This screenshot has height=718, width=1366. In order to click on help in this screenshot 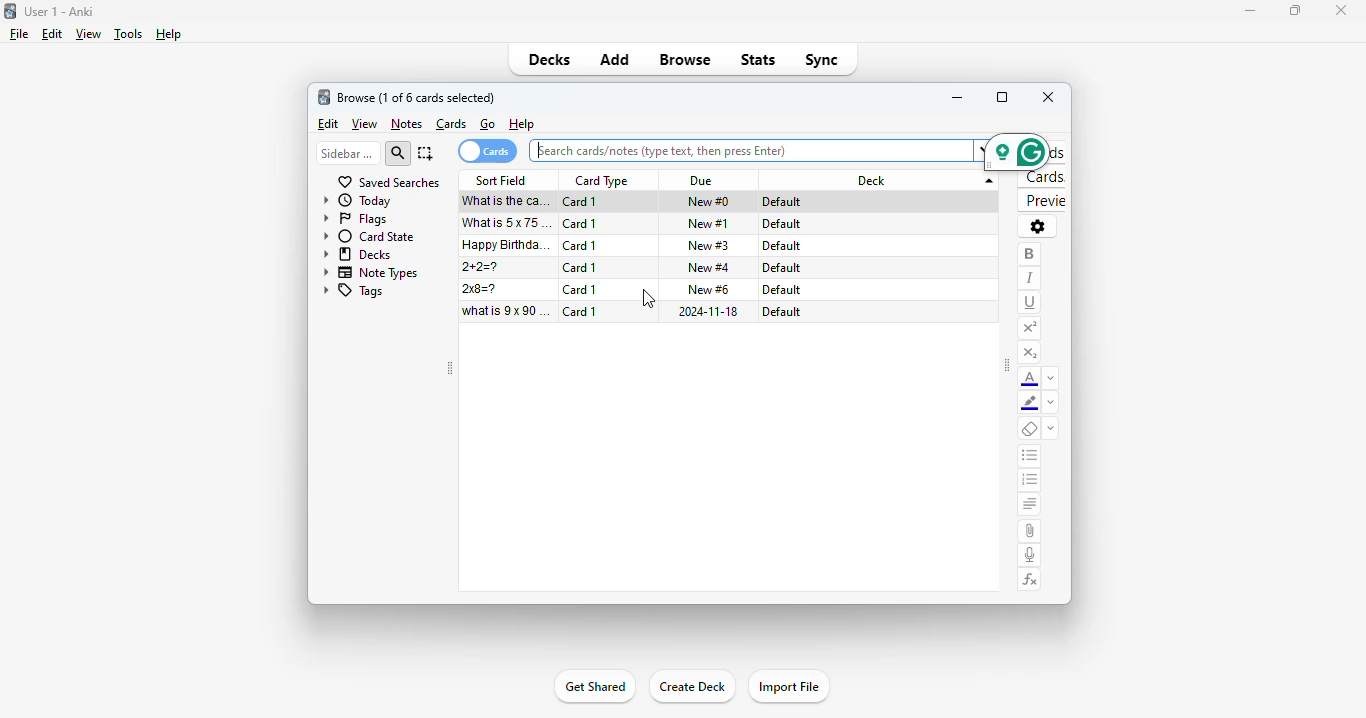, I will do `click(521, 125)`.